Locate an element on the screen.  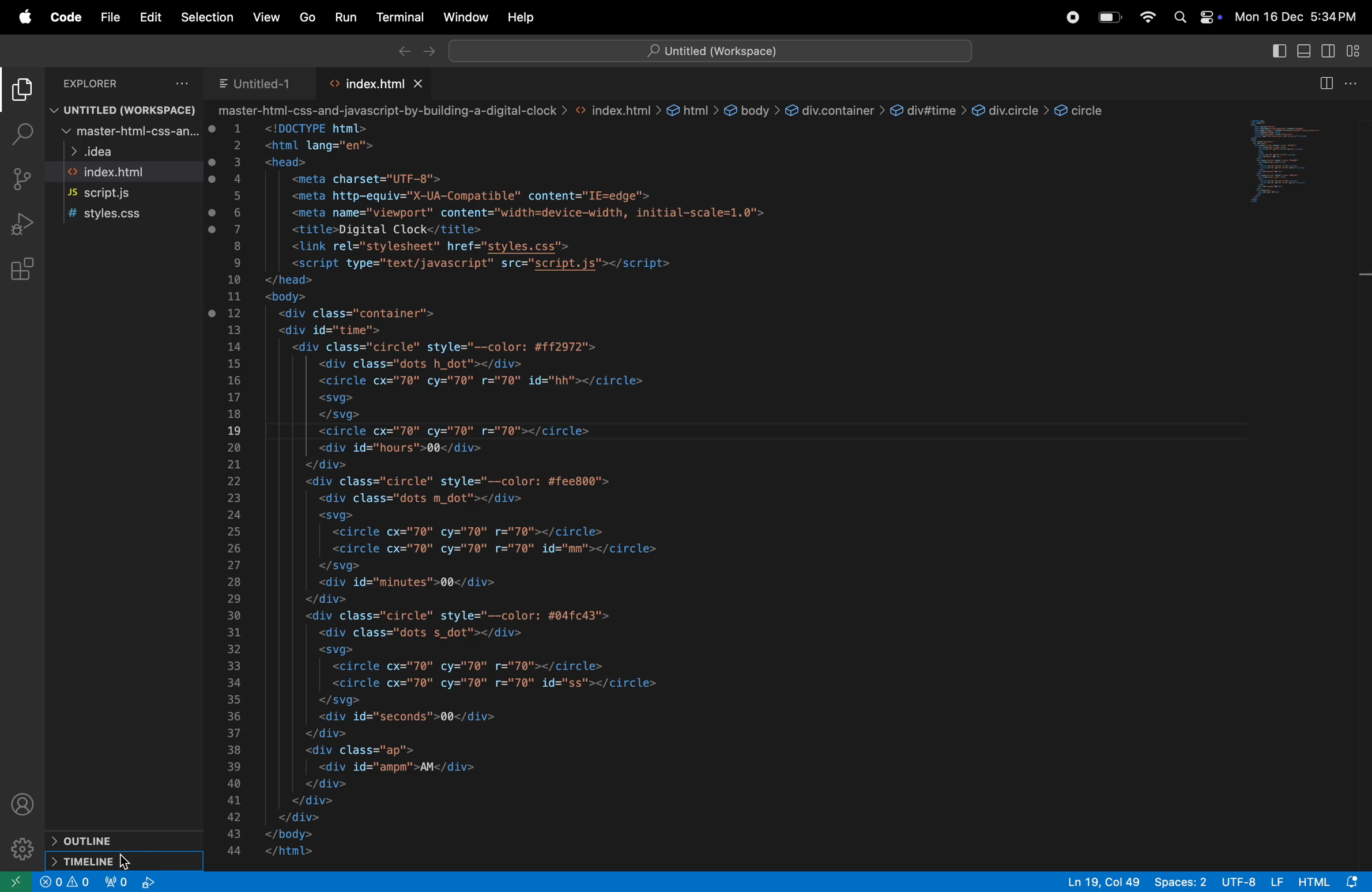
index.html is located at coordinates (111, 173).